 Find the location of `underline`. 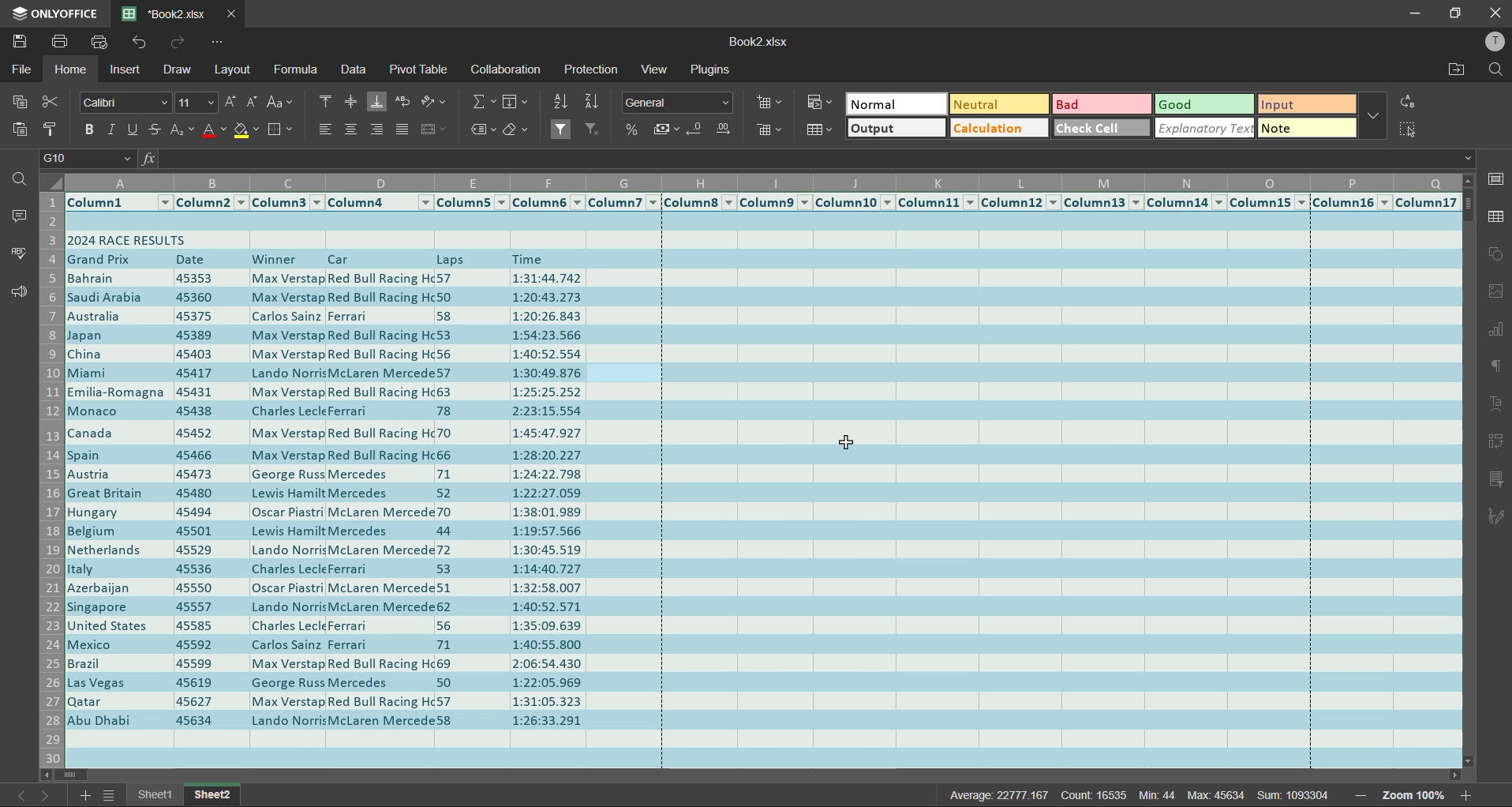

underline is located at coordinates (133, 131).